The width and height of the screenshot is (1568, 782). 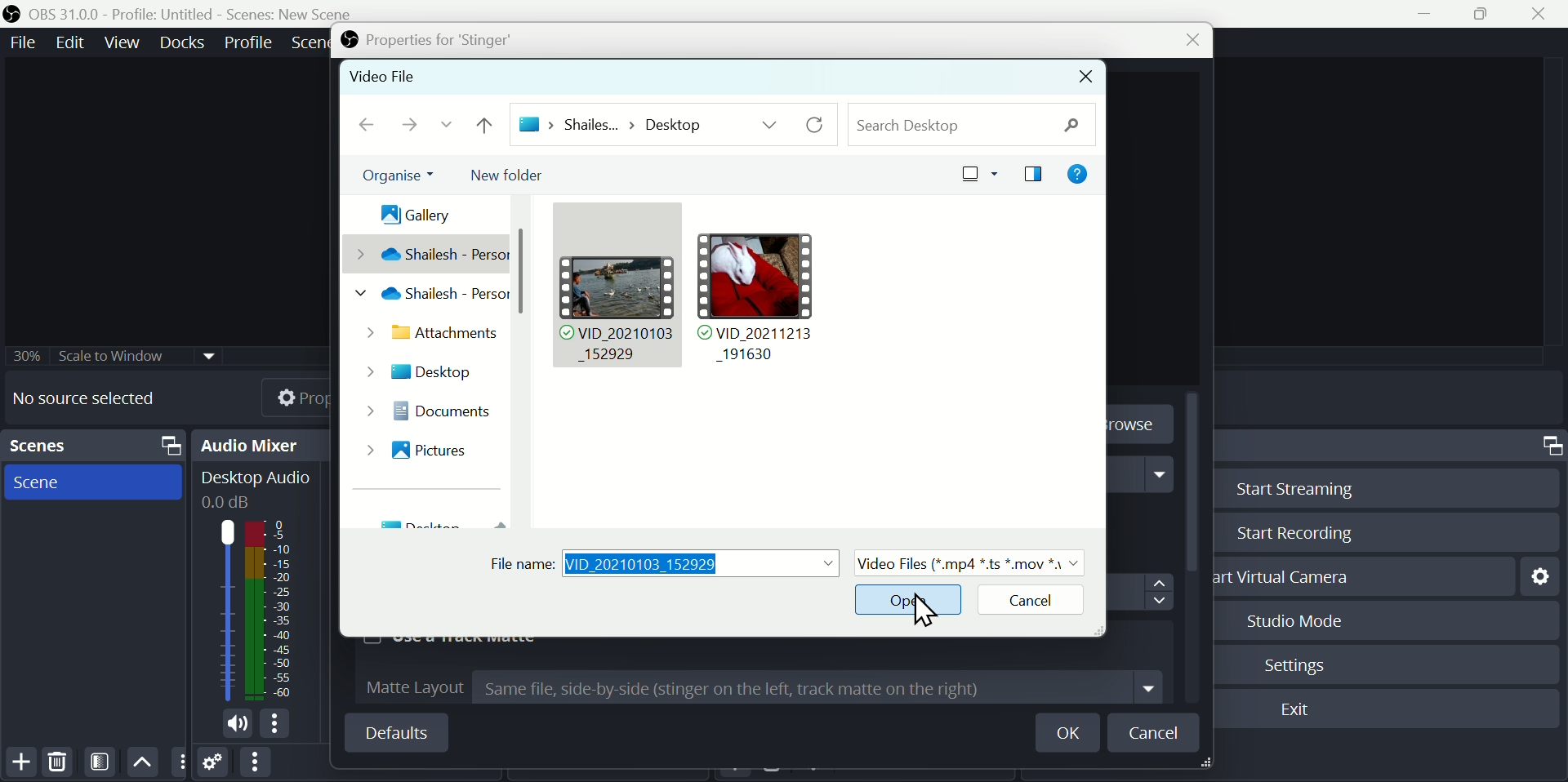 What do you see at coordinates (969, 562) in the screenshot?
I see `Video Format` at bounding box center [969, 562].